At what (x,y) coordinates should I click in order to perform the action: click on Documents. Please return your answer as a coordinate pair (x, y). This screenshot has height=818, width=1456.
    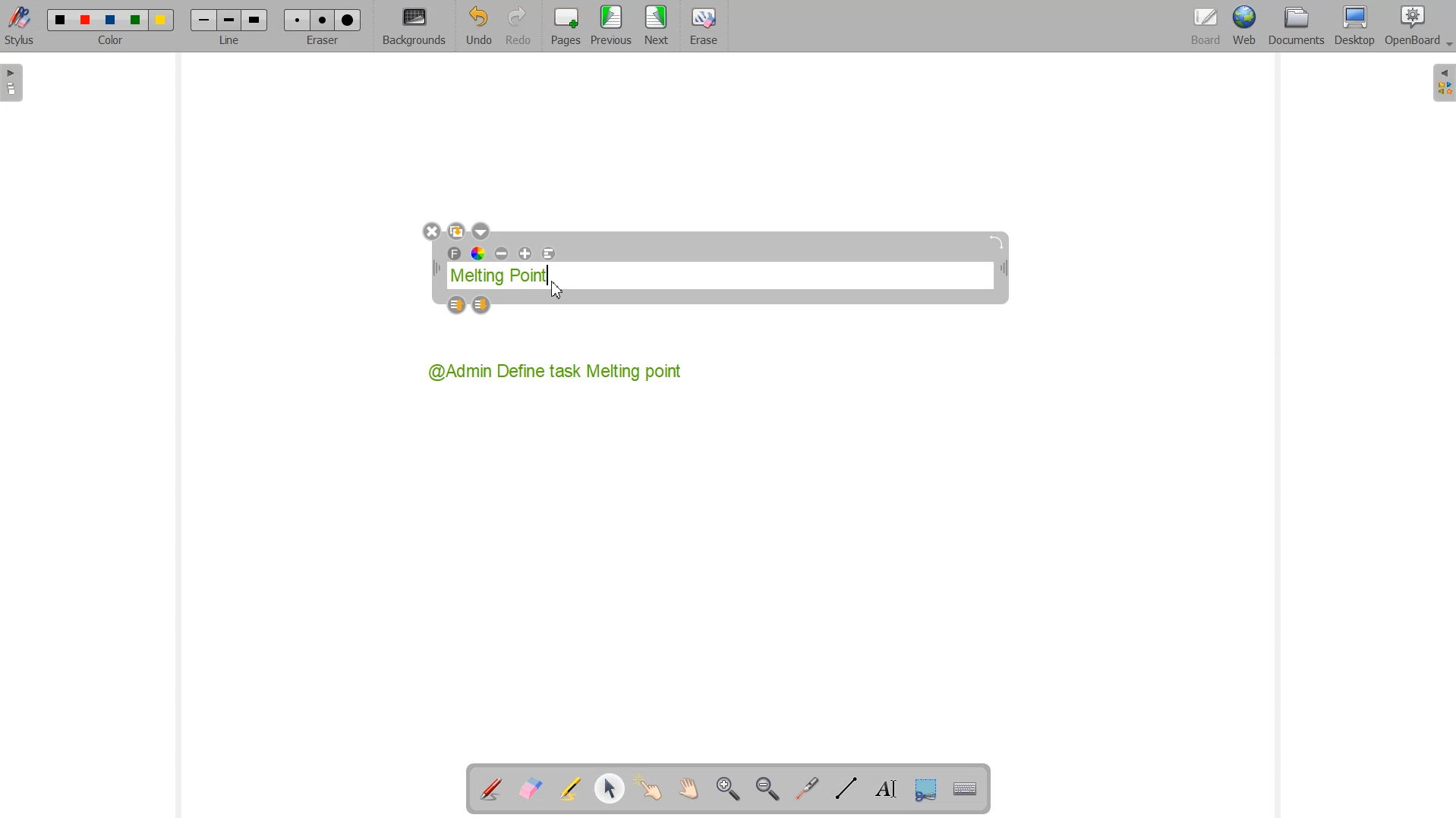
    Looking at the image, I should click on (1296, 27).